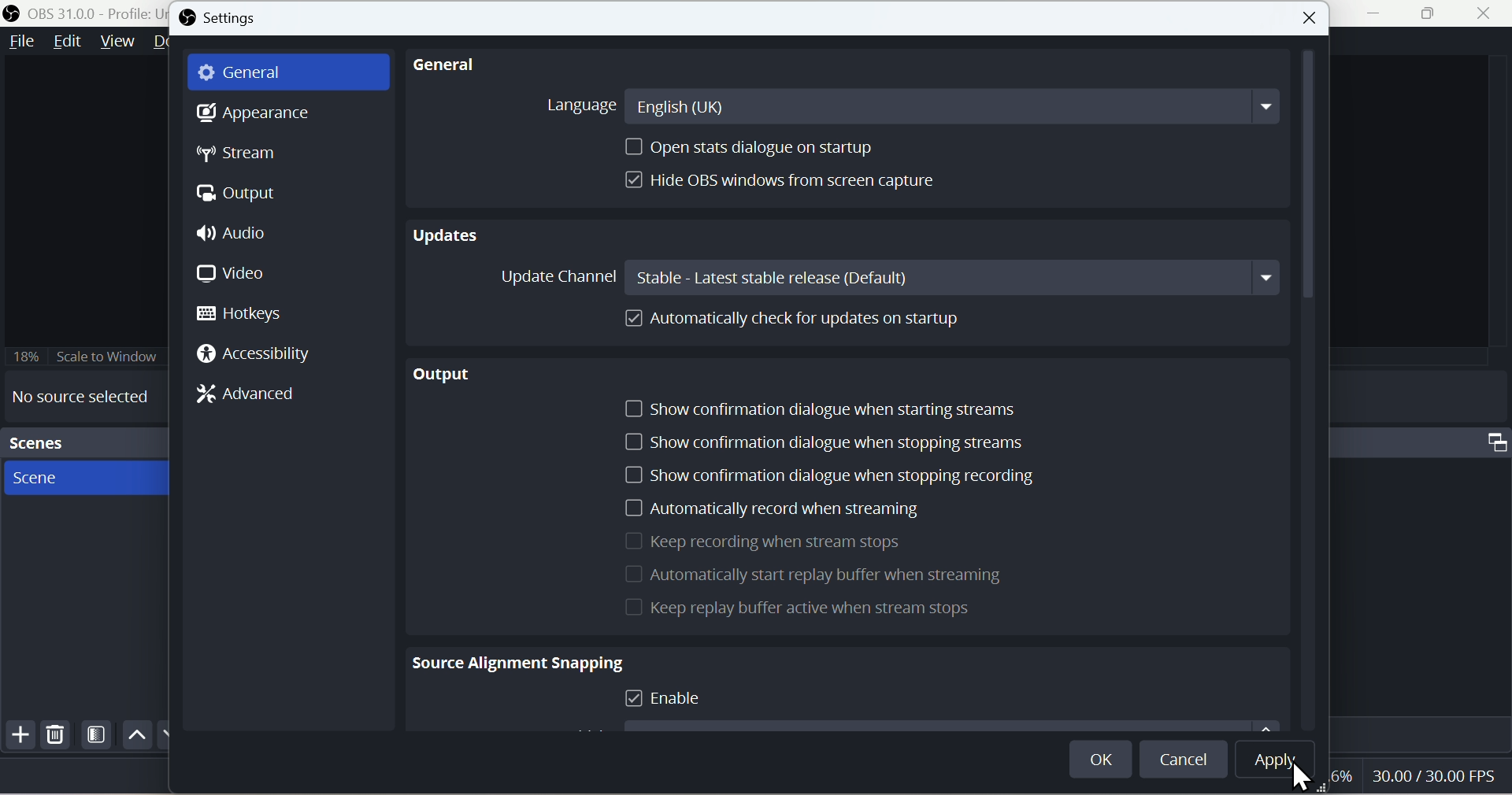 The width and height of the screenshot is (1512, 795). What do you see at coordinates (799, 611) in the screenshot?
I see `Keep Replay for active when is stream stops` at bounding box center [799, 611].